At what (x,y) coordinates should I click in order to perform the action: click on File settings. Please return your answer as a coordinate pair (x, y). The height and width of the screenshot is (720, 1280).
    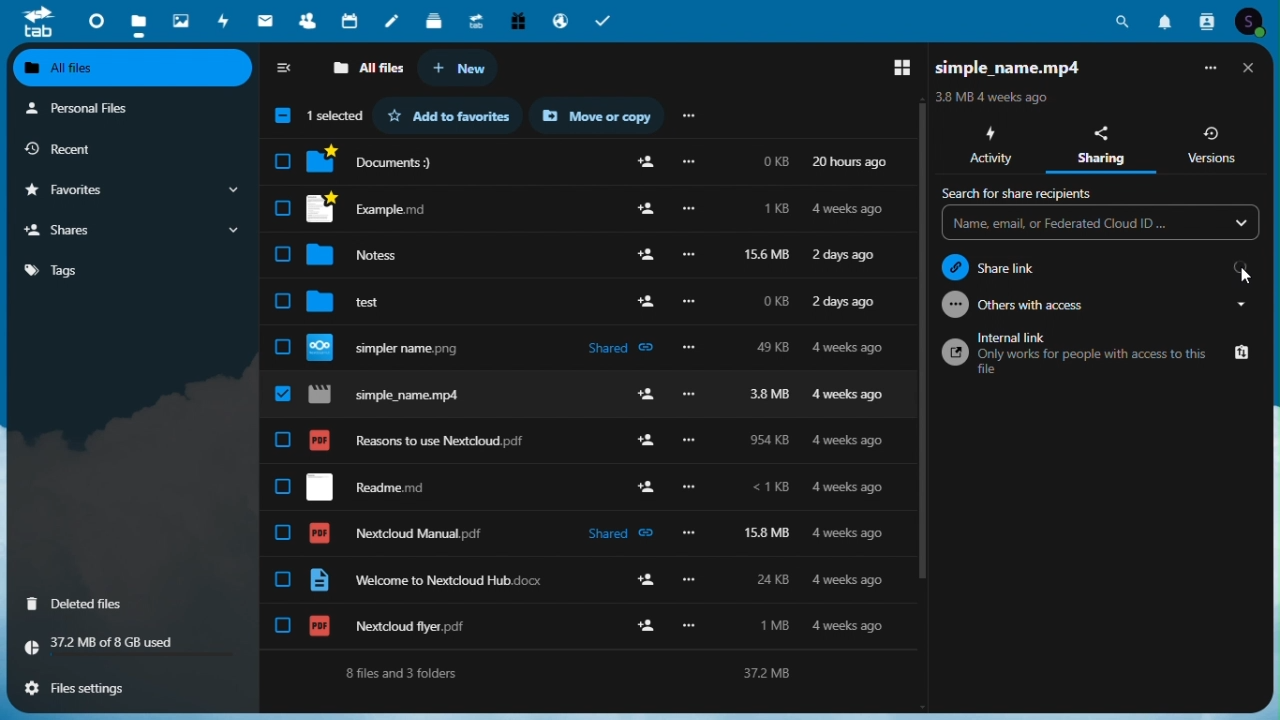
    Looking at the image, I should click on (87, 688).